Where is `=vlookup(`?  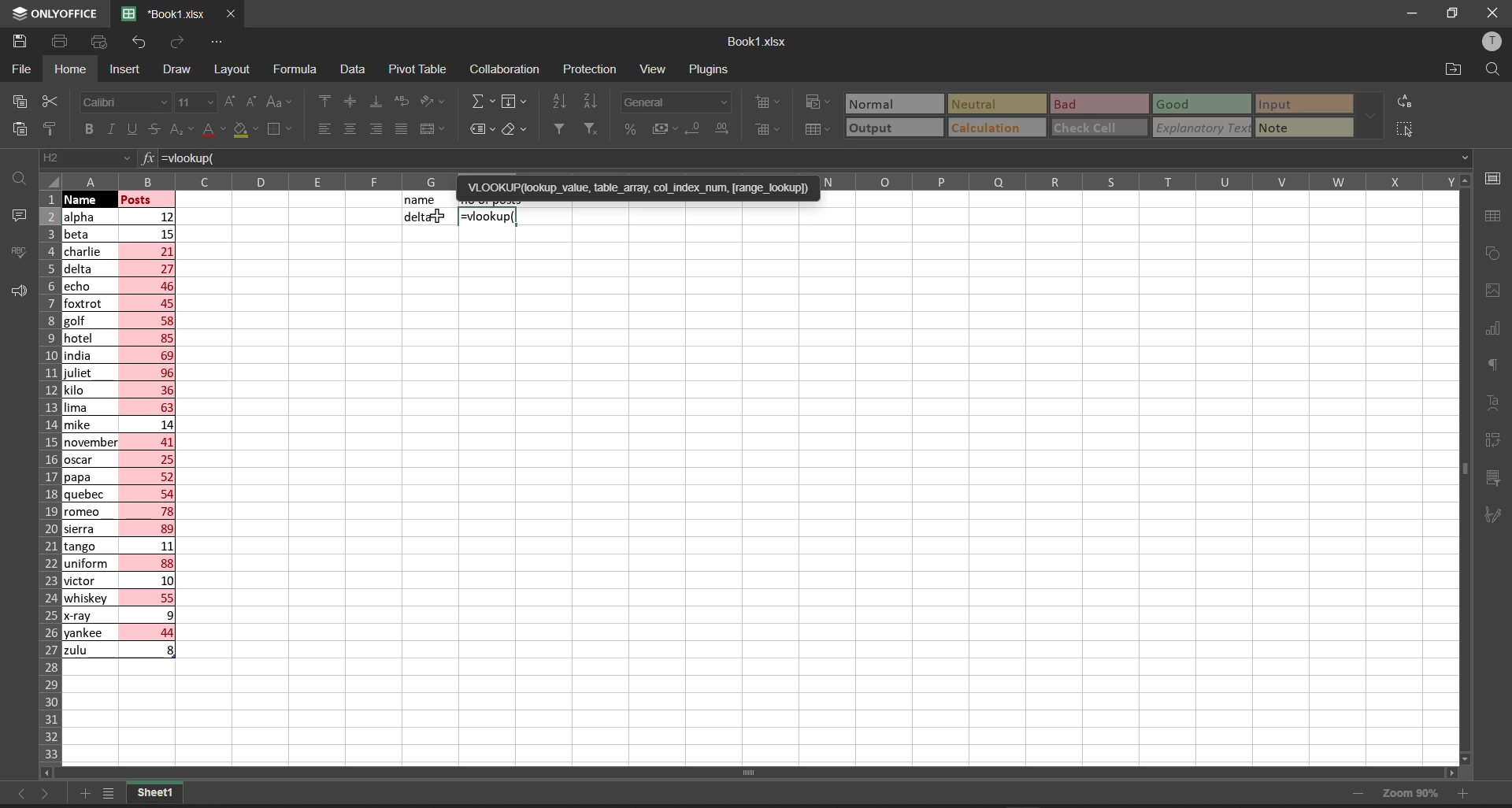 =vlookup( is located at coordinates (813, 159).